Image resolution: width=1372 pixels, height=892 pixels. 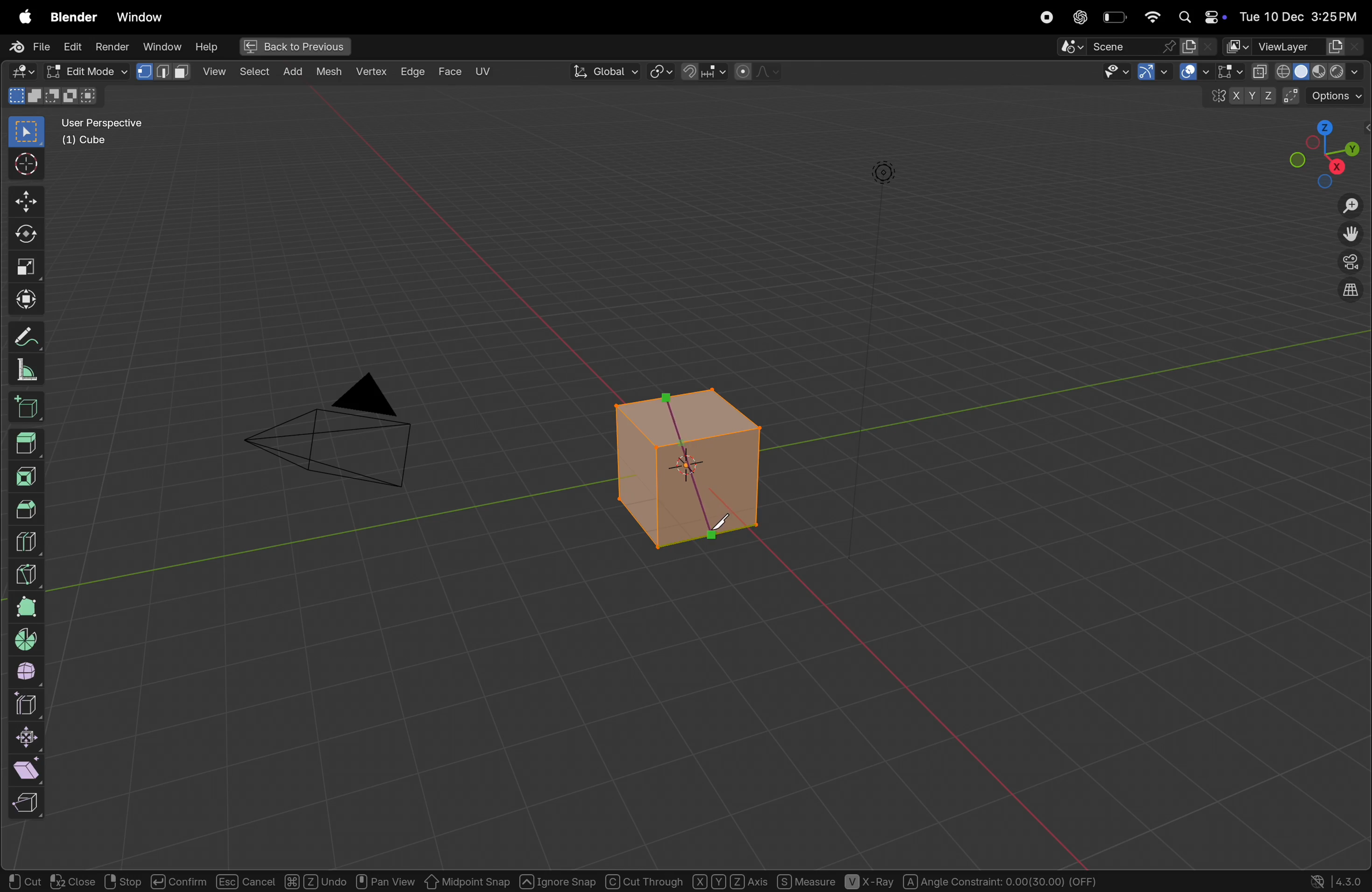 I want to click on transform, so click(x=24, y=237).